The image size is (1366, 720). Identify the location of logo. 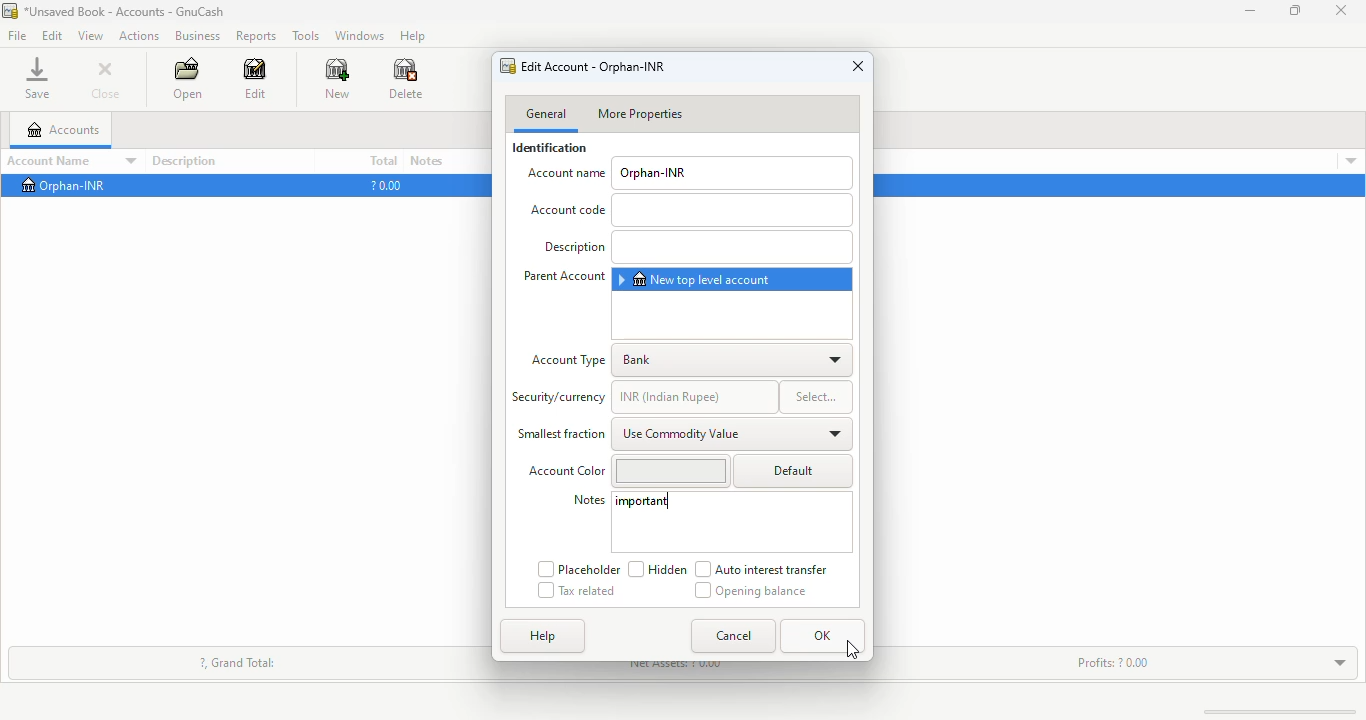
(507, 66).